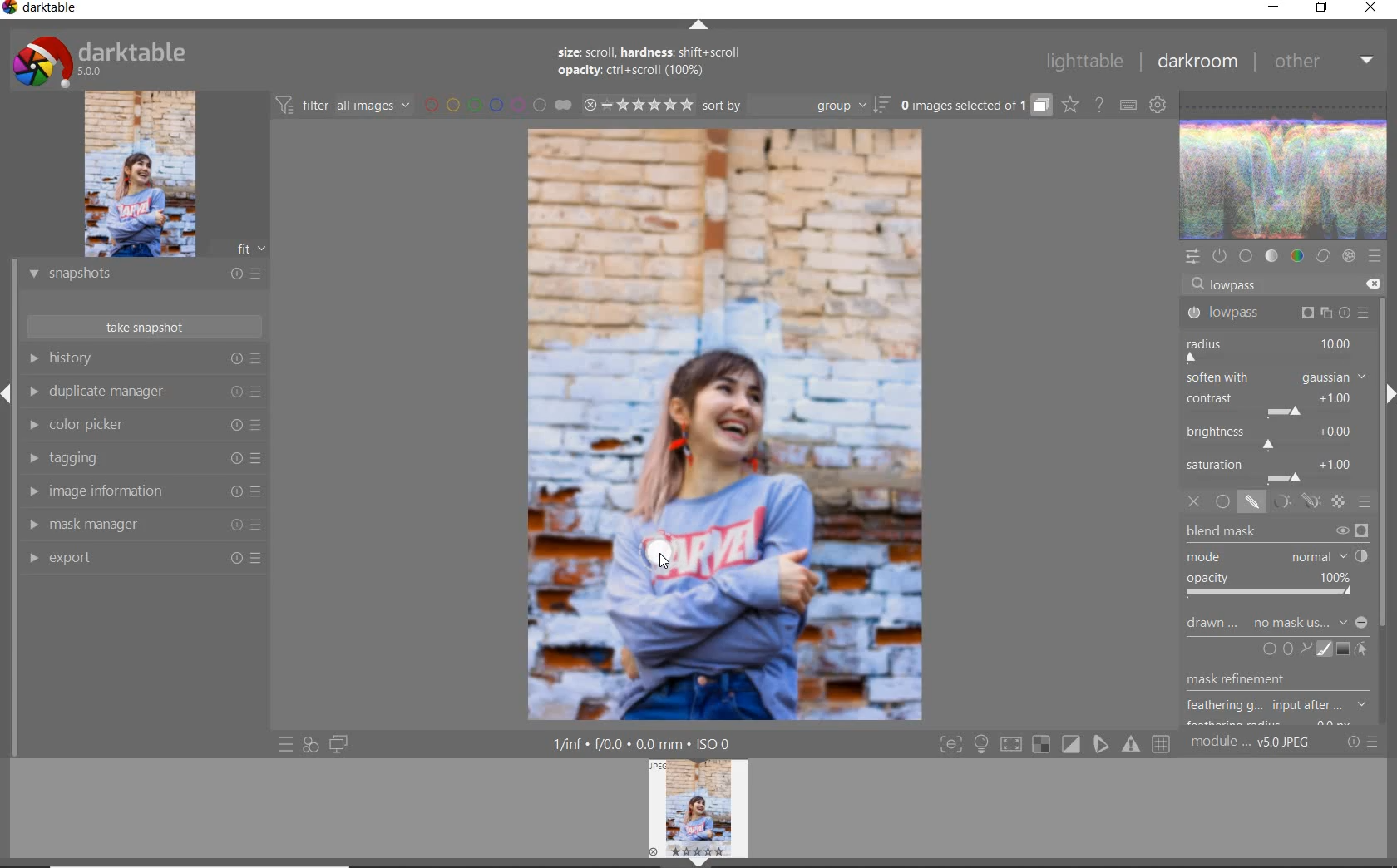 The height and width of the screenshot is (868, 1397). I want to click on snapshots, so click(144, 277).